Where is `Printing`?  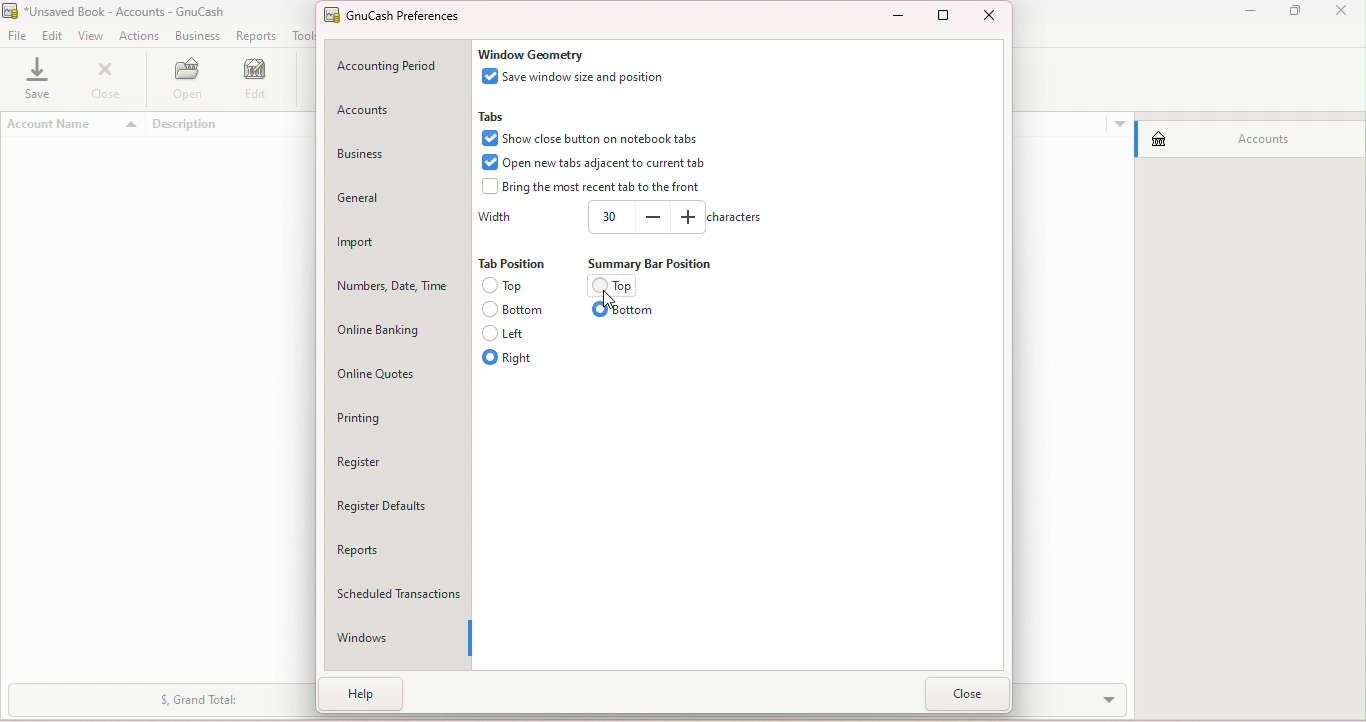
Printing is located at coordinates (398, 417).